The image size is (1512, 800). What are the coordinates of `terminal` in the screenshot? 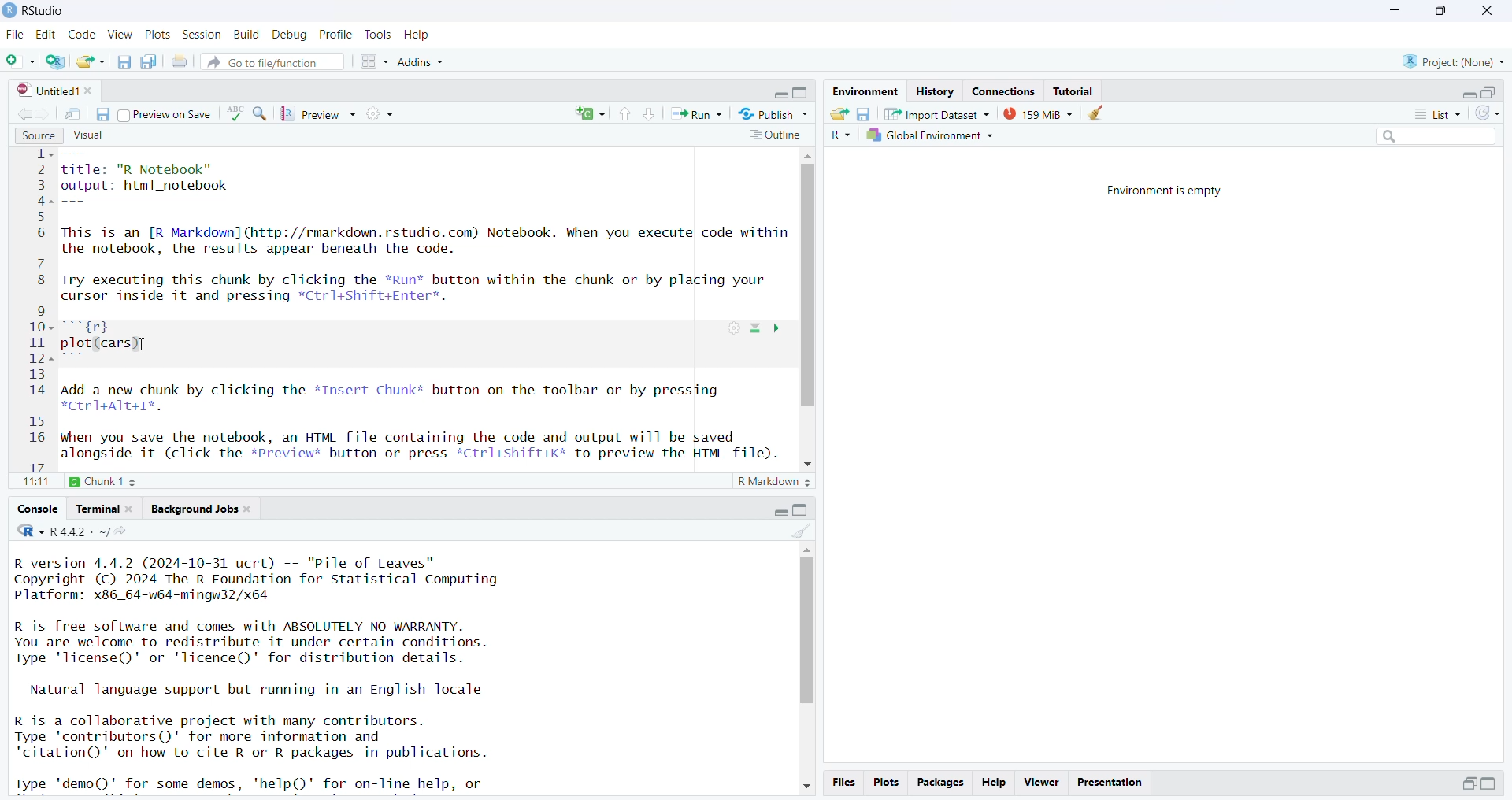 It's located at (106, 508).